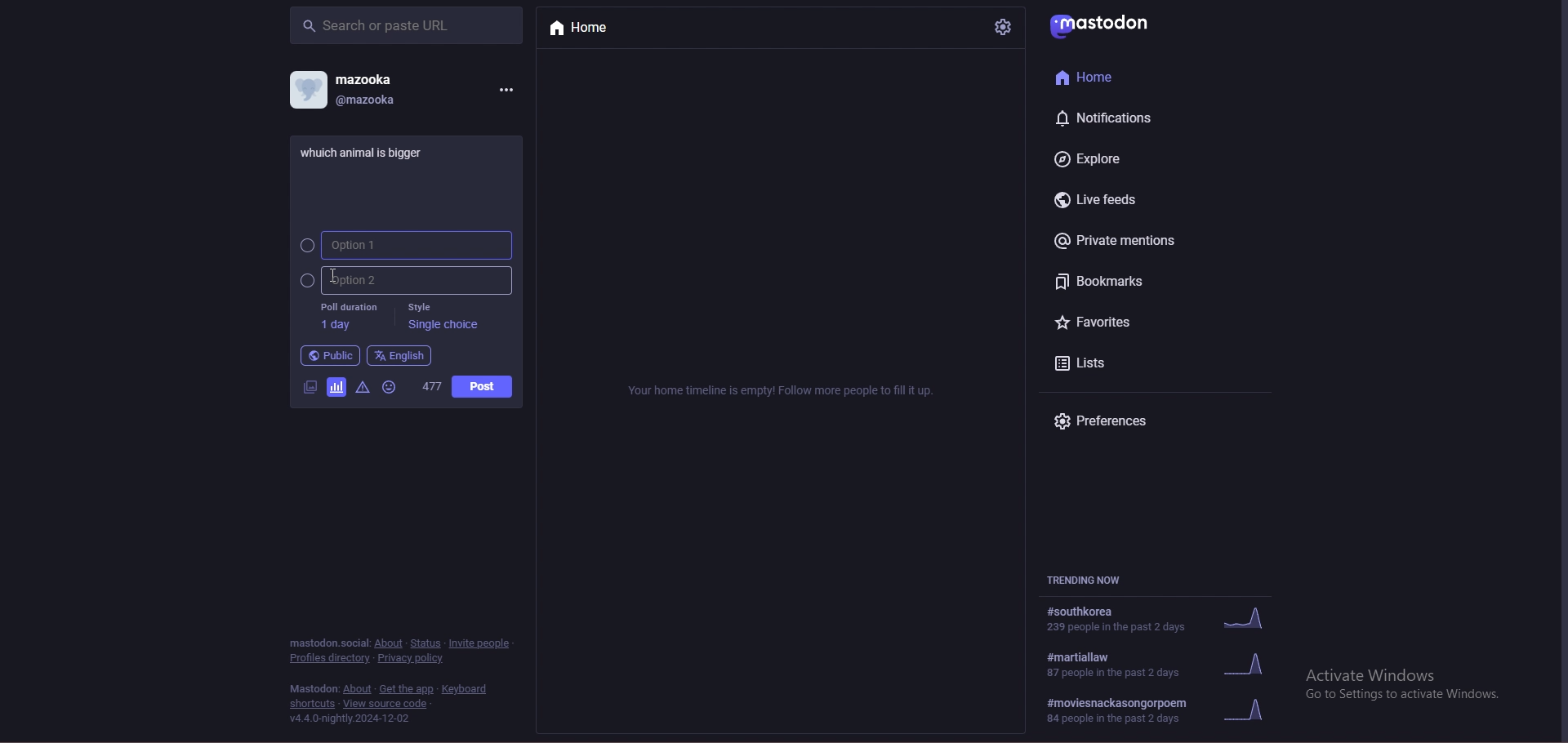 Image resolution: width=1568 pixels, height=743 pixels. What do you see at coordinates (482, 642) in the screenshot?
I see `invite people` at bounding box center [482, 642].